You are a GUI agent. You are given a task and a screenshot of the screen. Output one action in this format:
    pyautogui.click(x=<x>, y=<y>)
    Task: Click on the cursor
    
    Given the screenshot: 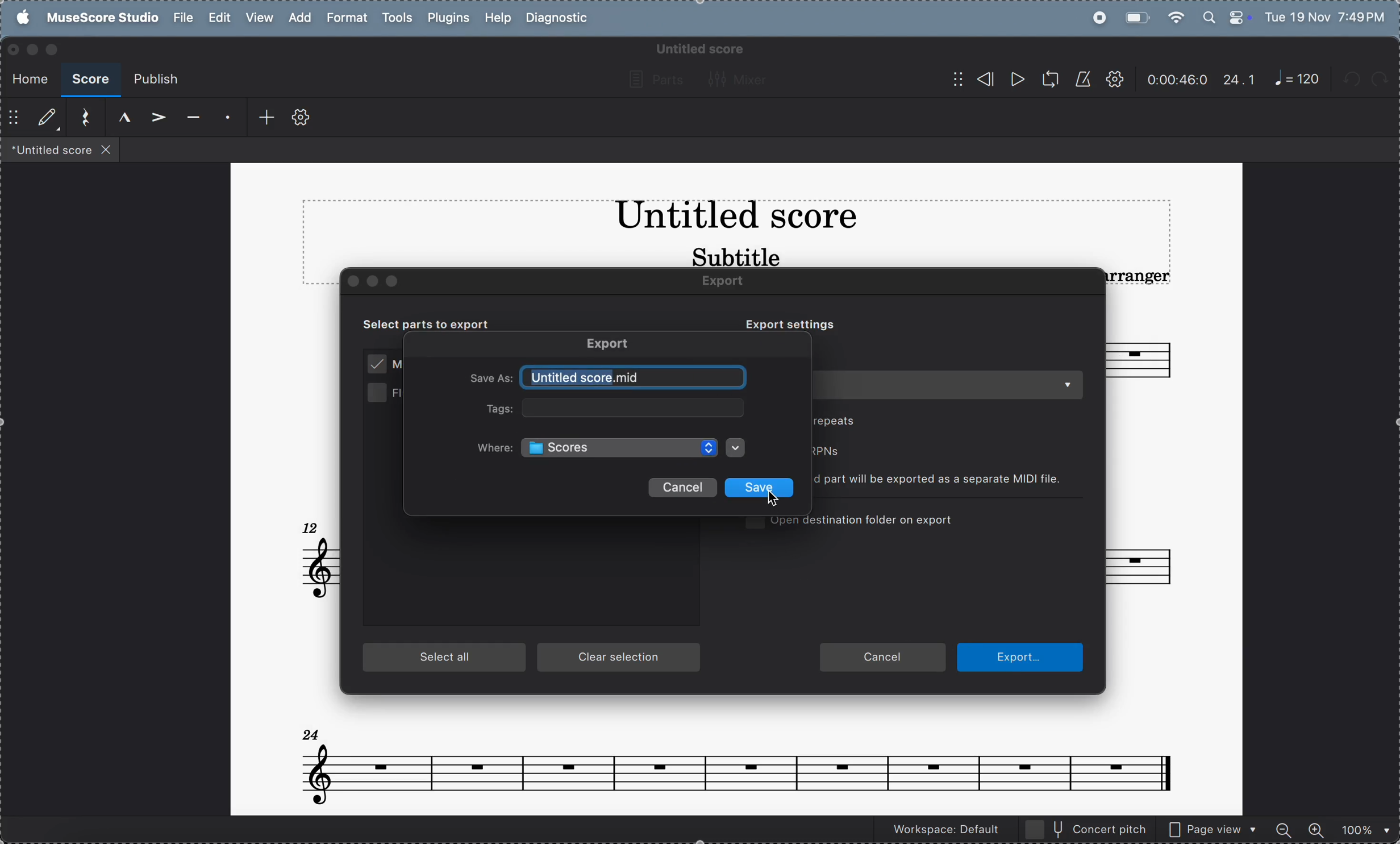 What is the action you would take?
    pyautogui.click(x=777, y=503)
    